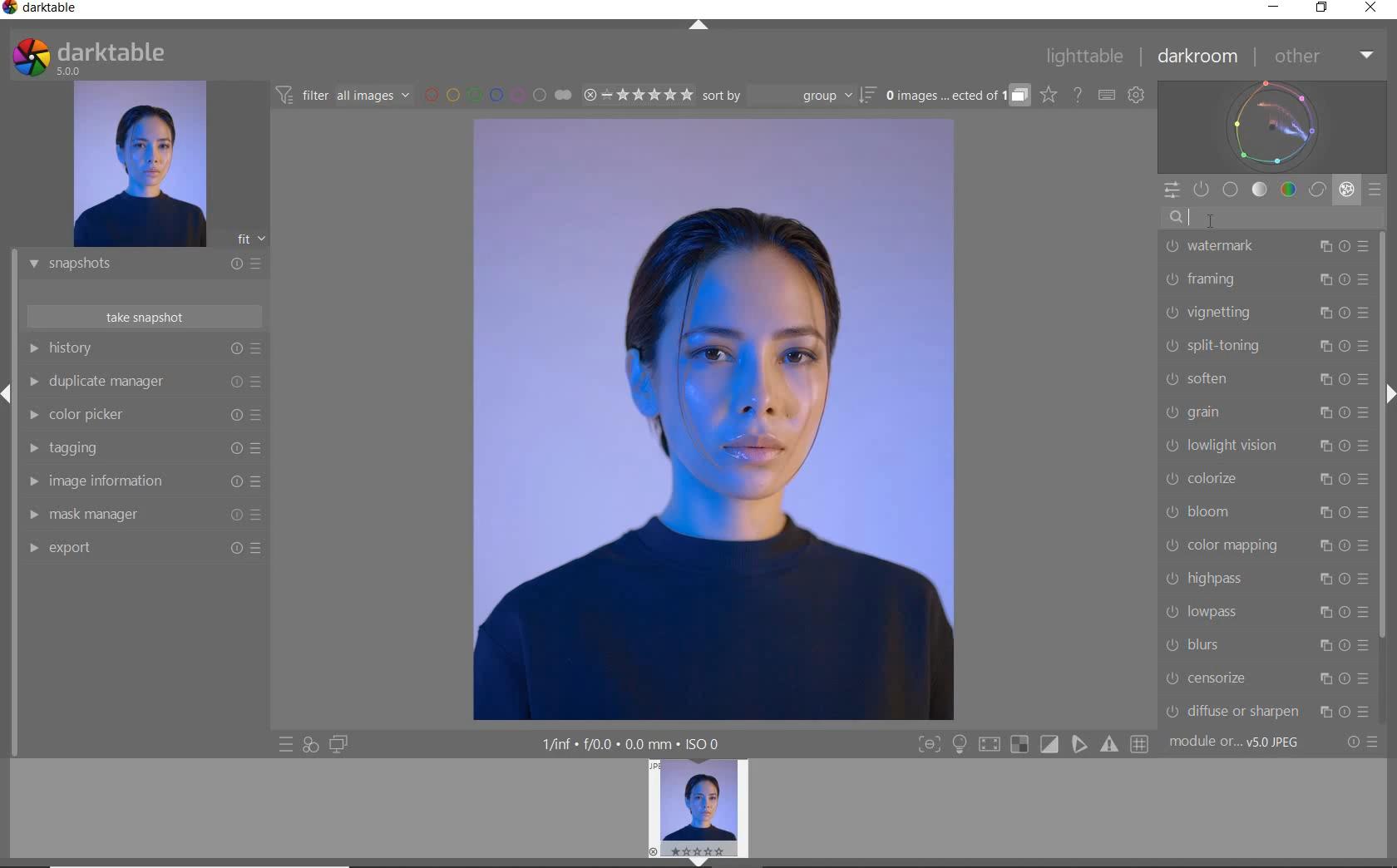  What do you see at coordinates (1319, 191) in the screenshot?
I see `CORRECT` at bounding box center [1319, 191].